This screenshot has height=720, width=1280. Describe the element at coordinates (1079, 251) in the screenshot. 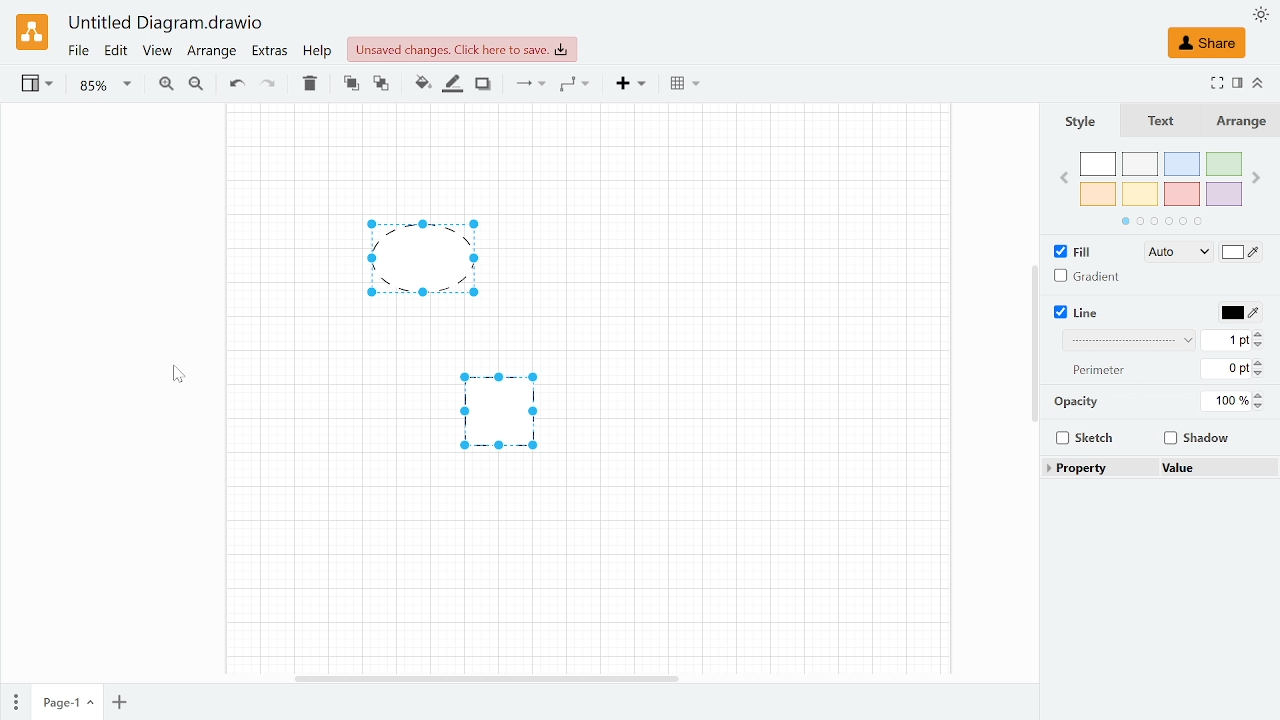

I see `` at that location.